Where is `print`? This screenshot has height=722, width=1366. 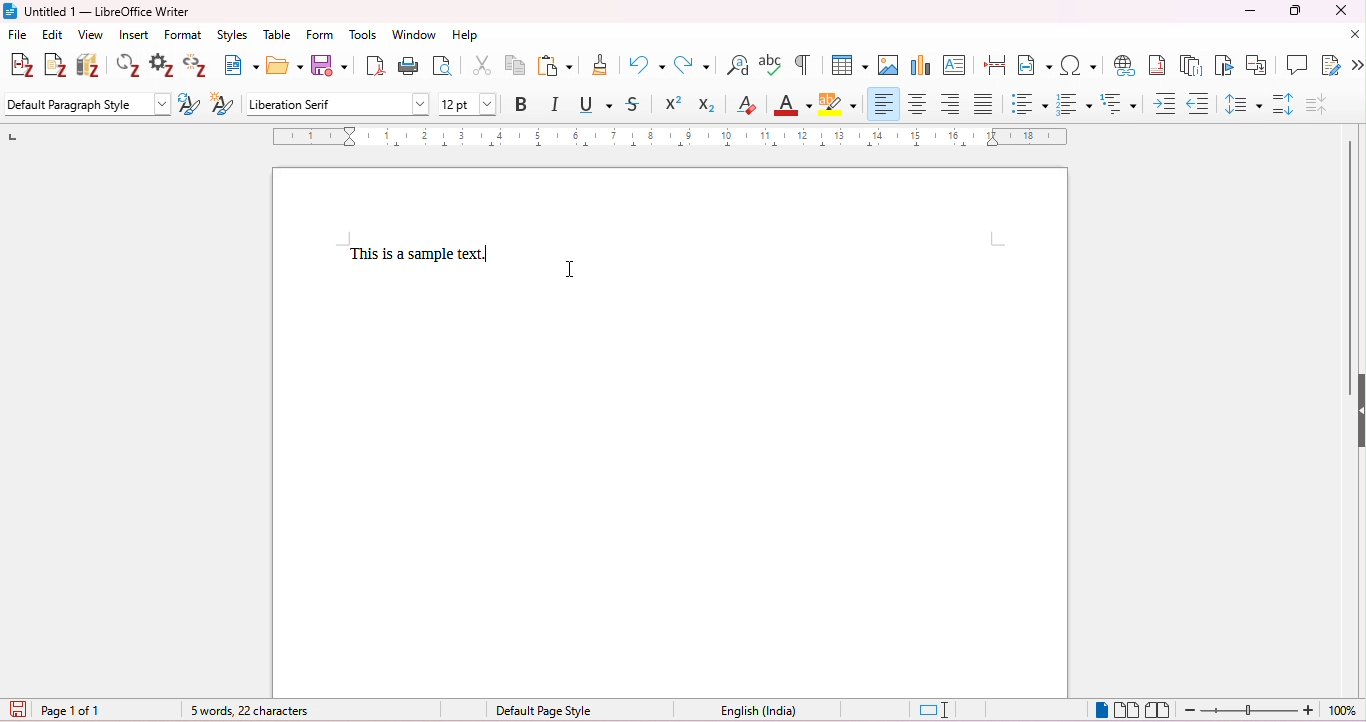 print is located at coordinates (408, 67).